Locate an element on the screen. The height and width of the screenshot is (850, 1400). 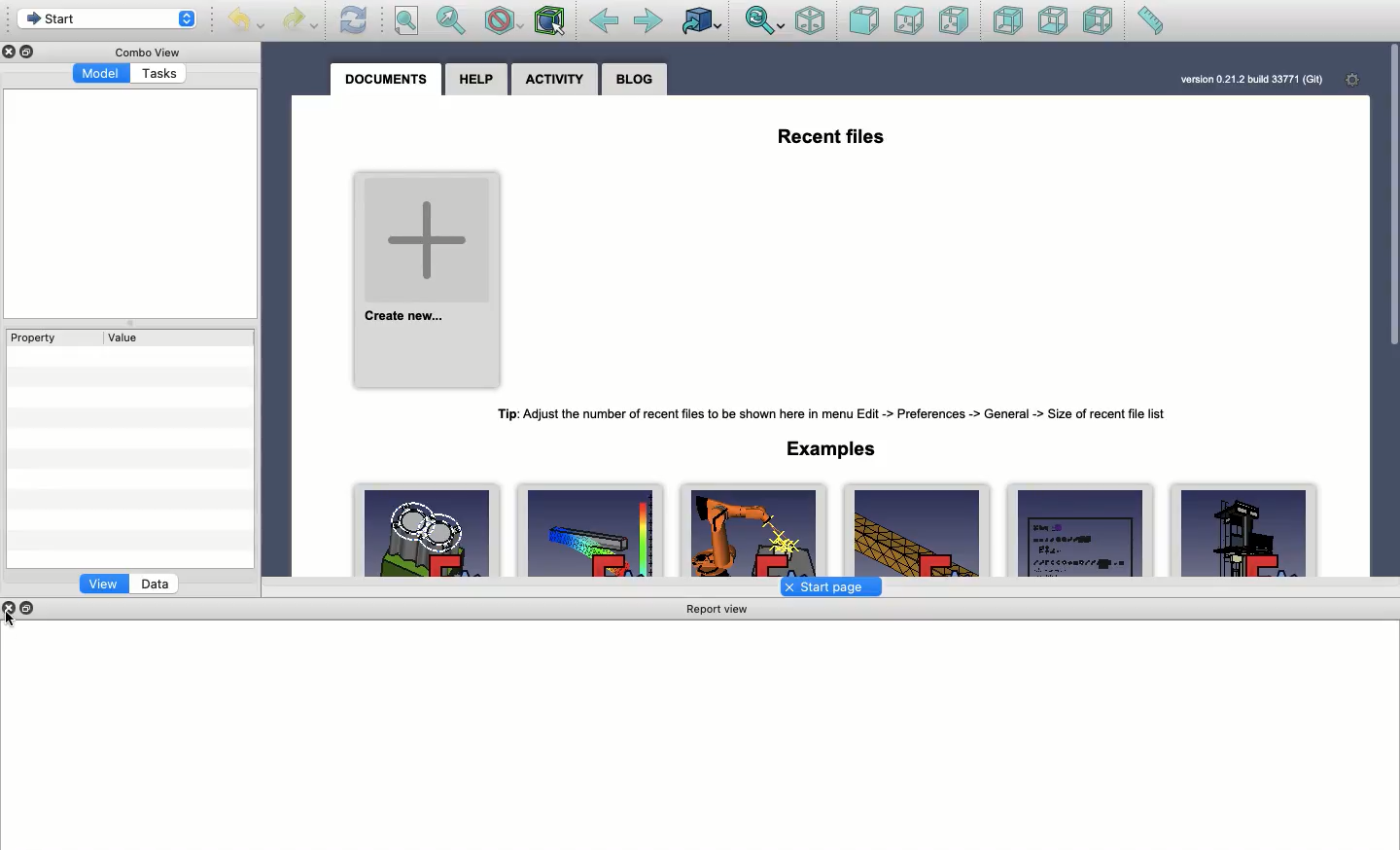
Close is located at coordinates (13, 606).